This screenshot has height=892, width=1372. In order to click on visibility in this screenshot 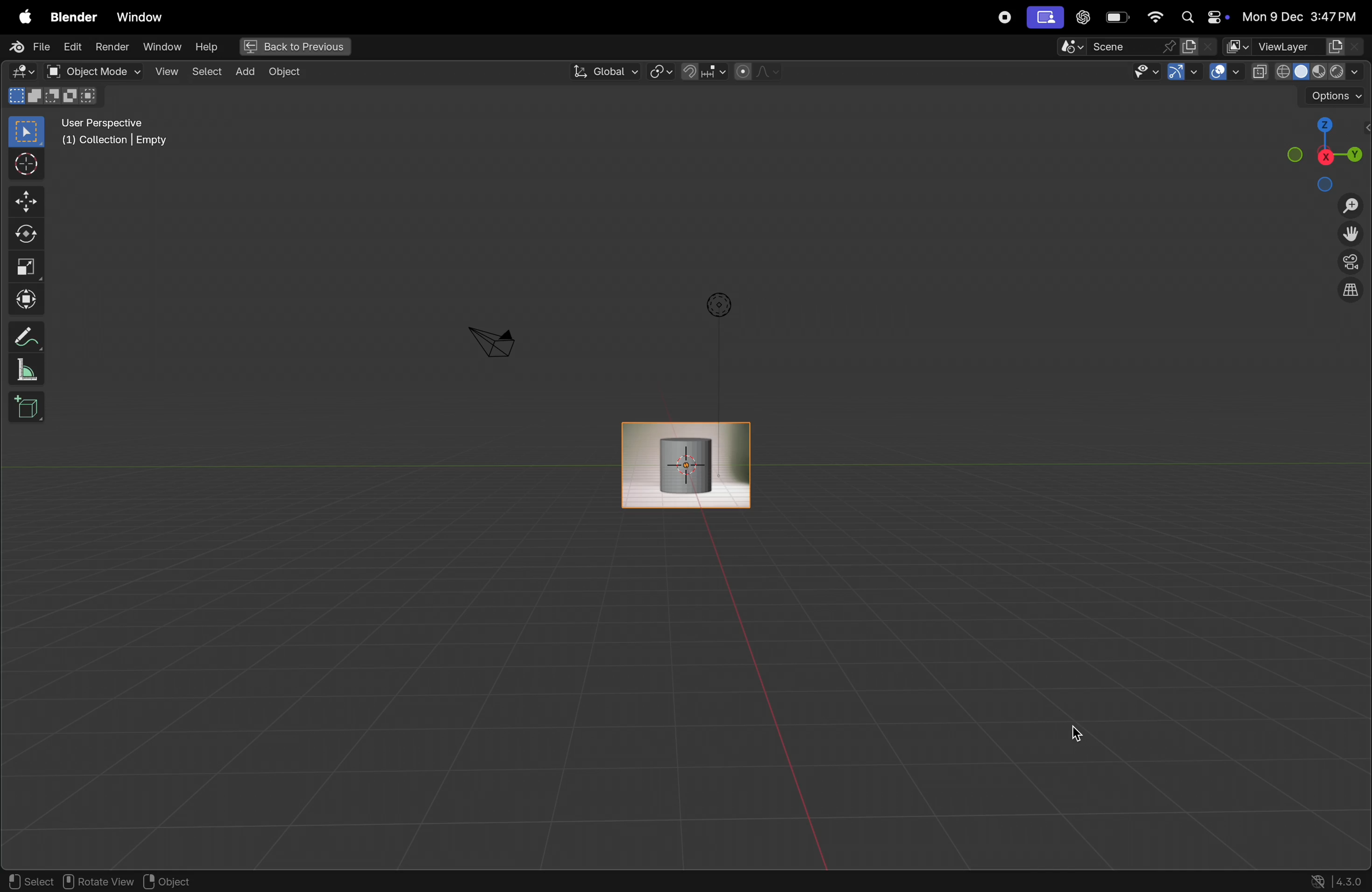, I will do `click(1145, 72)`.